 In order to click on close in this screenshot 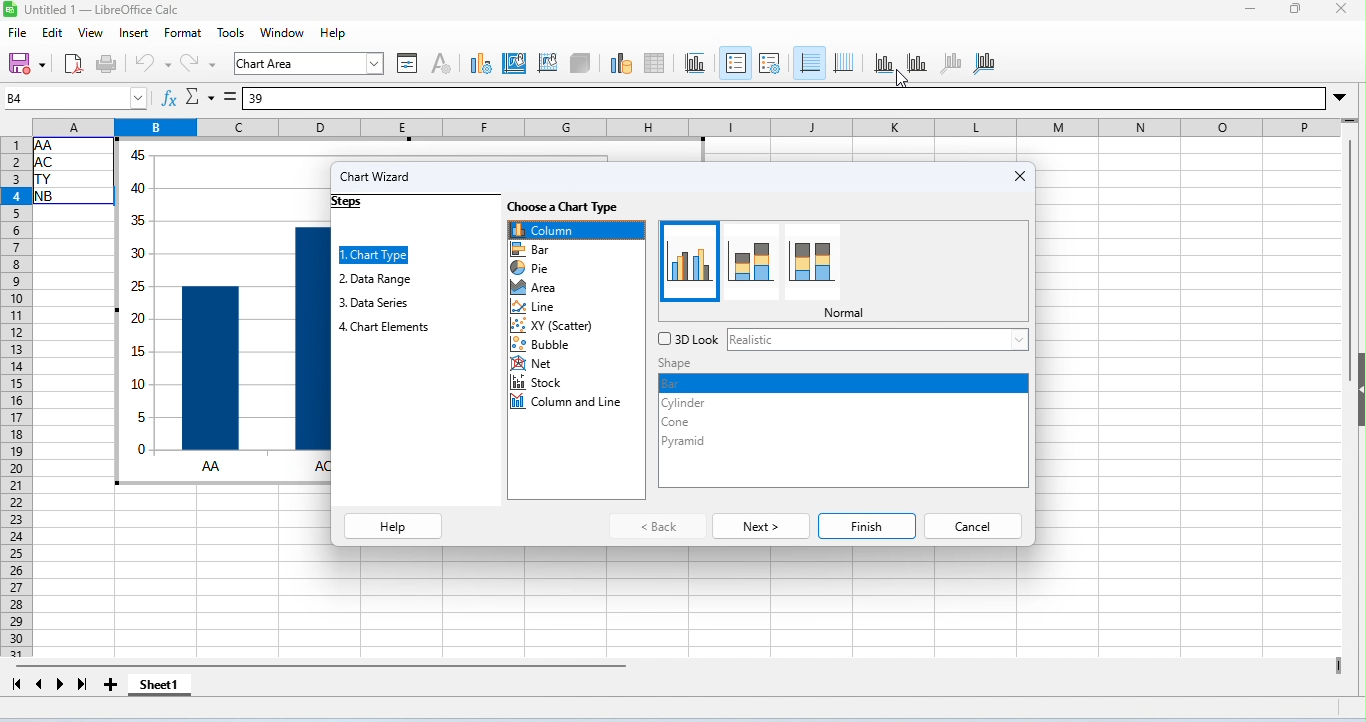, I will do `click(1015, 175)`.